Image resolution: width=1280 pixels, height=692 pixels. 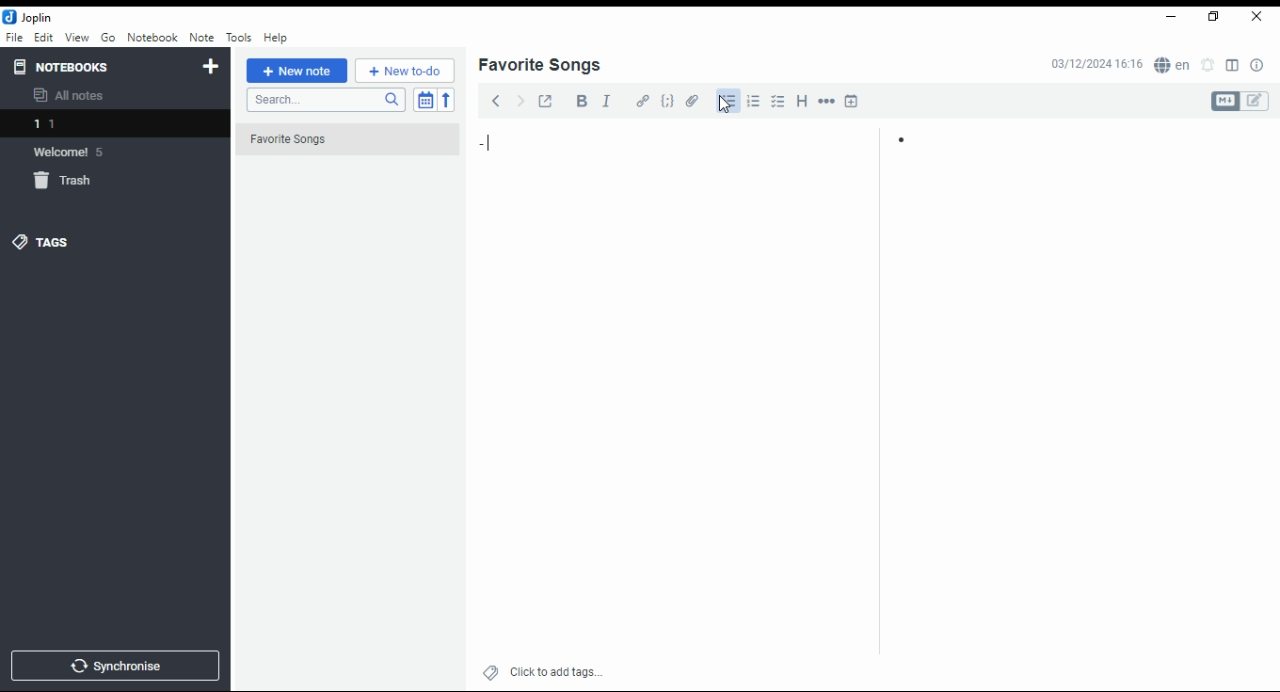 What do you see at coordinates (725, 104) in the screenshot?
I see `mouse pointer` at bounding box center [725, 104].